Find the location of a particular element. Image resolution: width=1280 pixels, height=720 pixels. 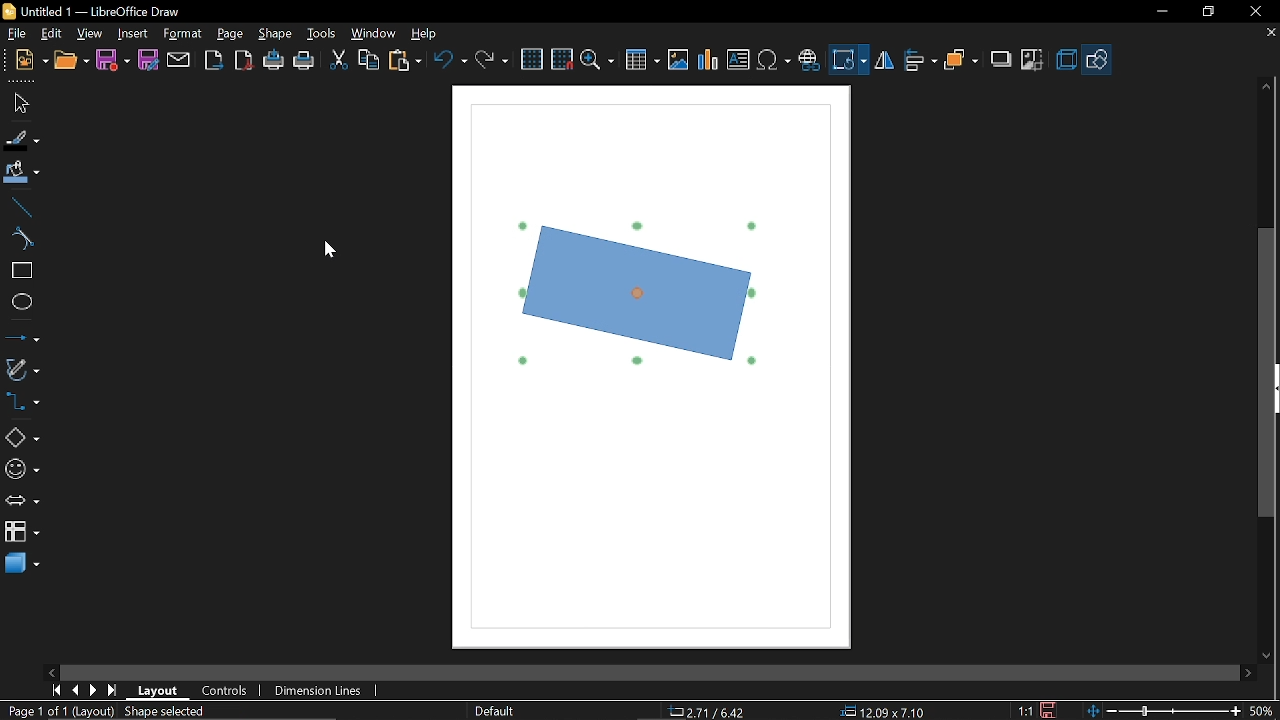

previous page is located at coordinates (75, 690).